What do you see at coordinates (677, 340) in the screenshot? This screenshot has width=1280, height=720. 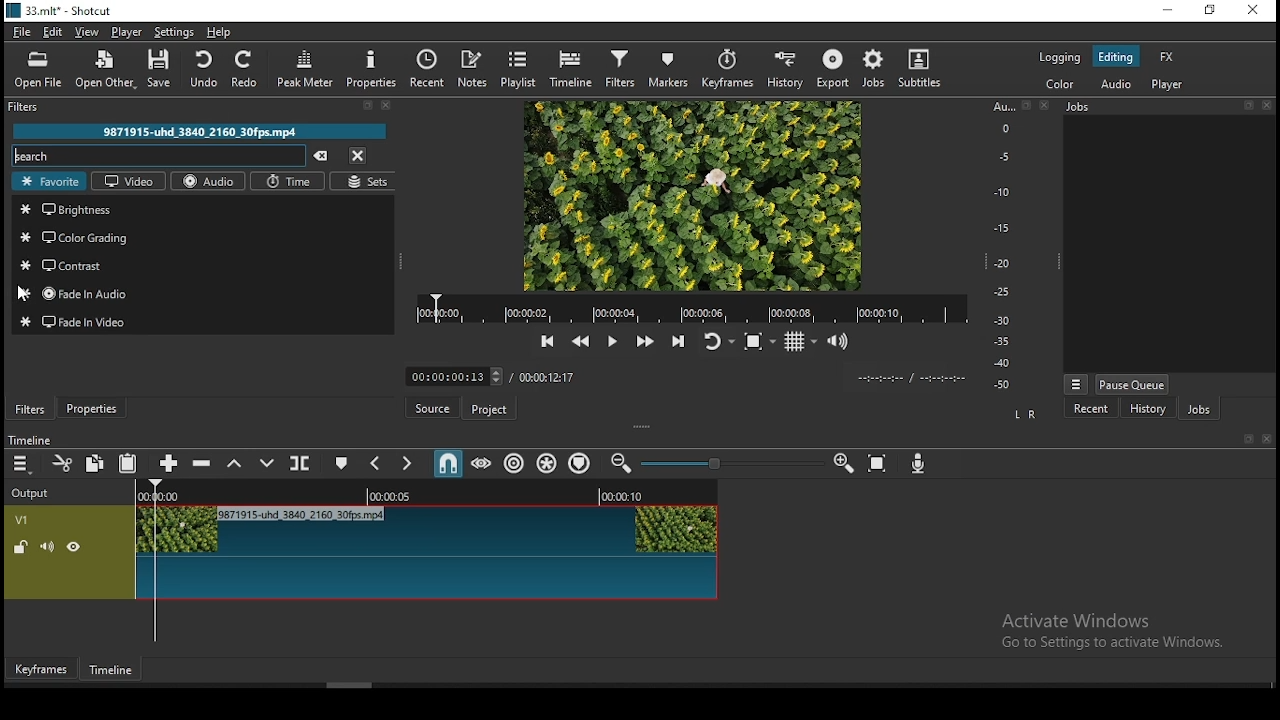 I see `skip to the next point` at bounding box center [677, 340].